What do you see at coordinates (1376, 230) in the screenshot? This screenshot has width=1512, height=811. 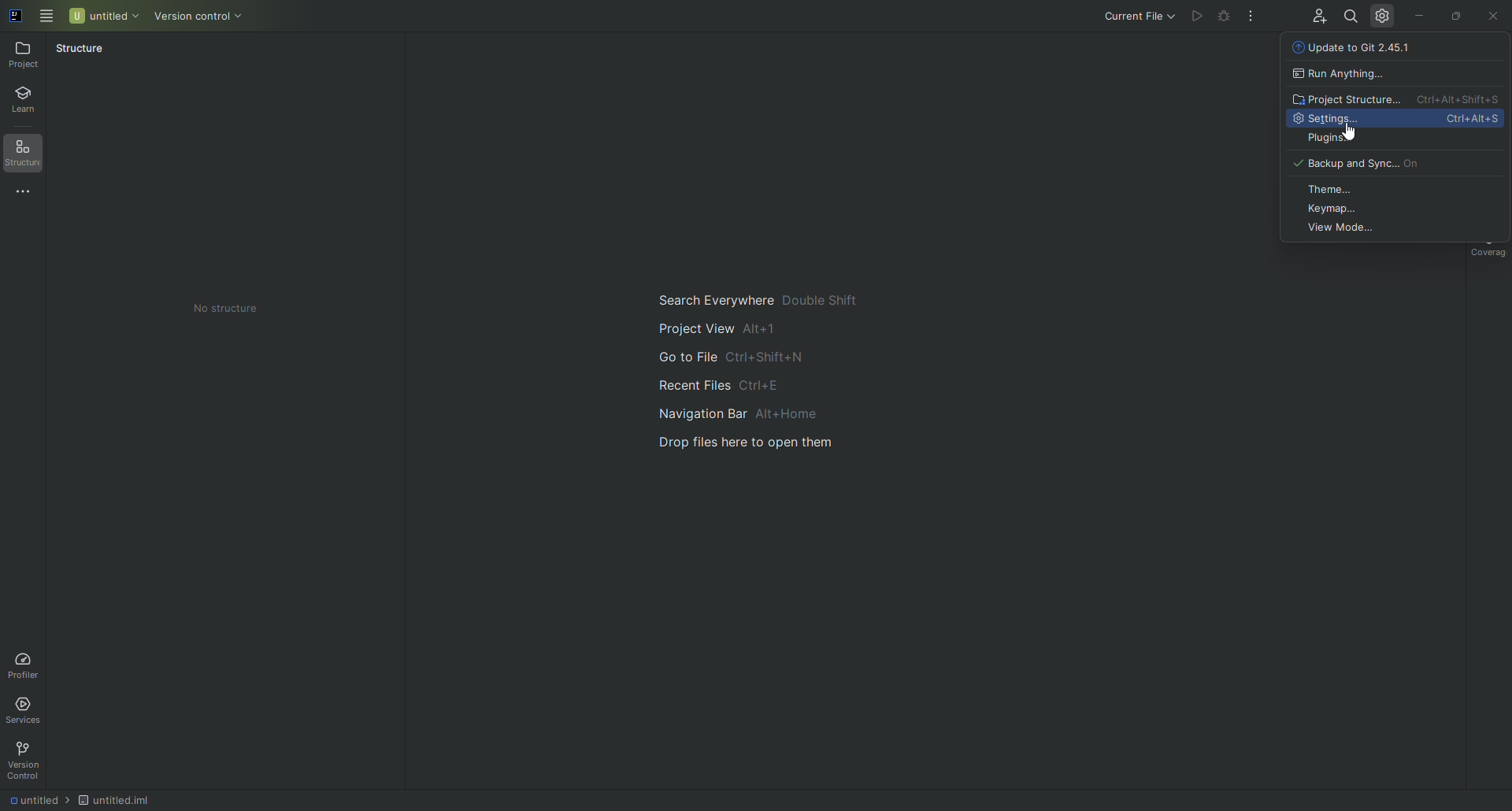 I see `View Mode` at bounding box center [1376, 230].